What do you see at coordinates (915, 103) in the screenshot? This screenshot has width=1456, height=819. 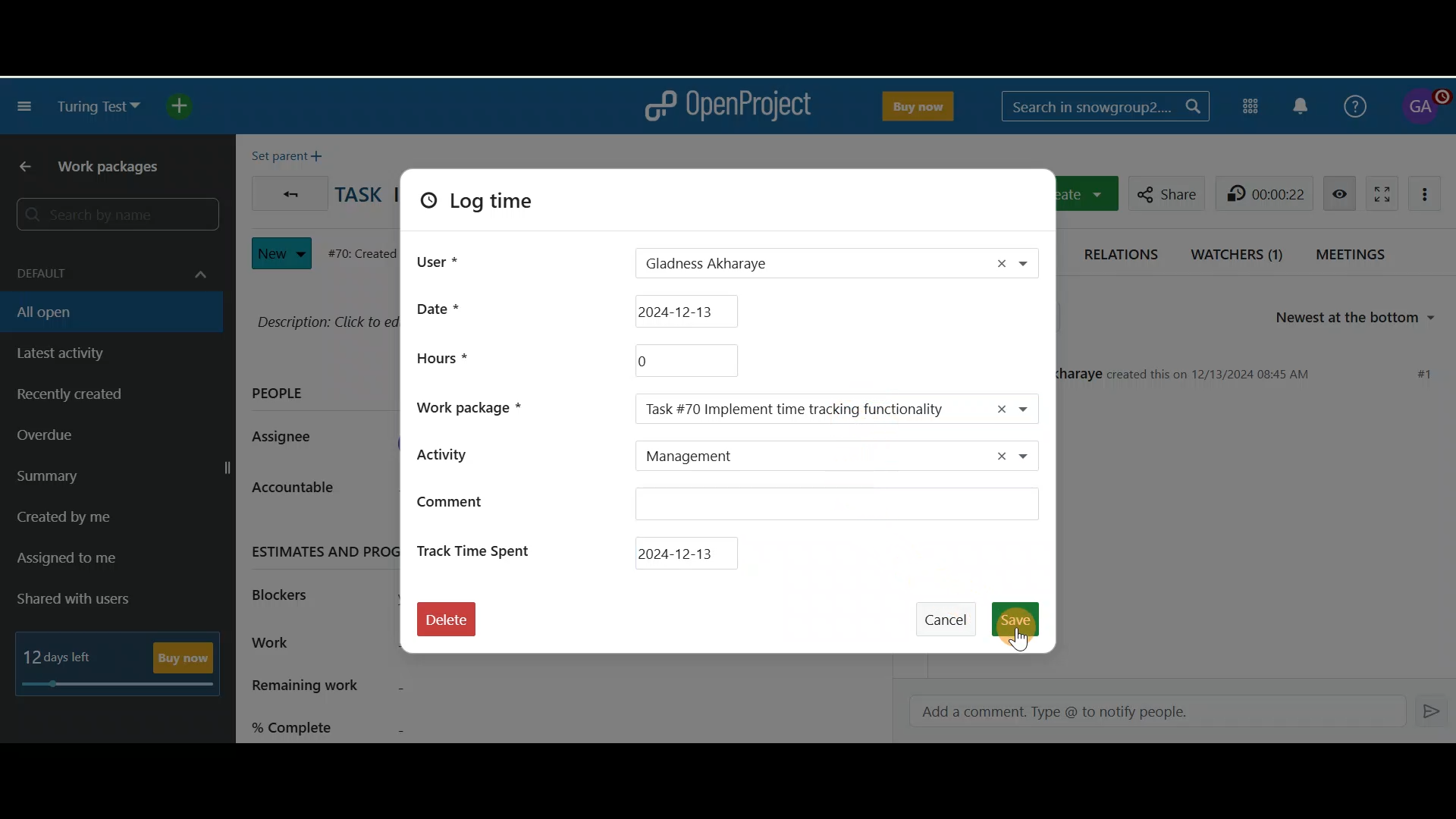 I see `Buy Now` at bounding box center [915, 103].